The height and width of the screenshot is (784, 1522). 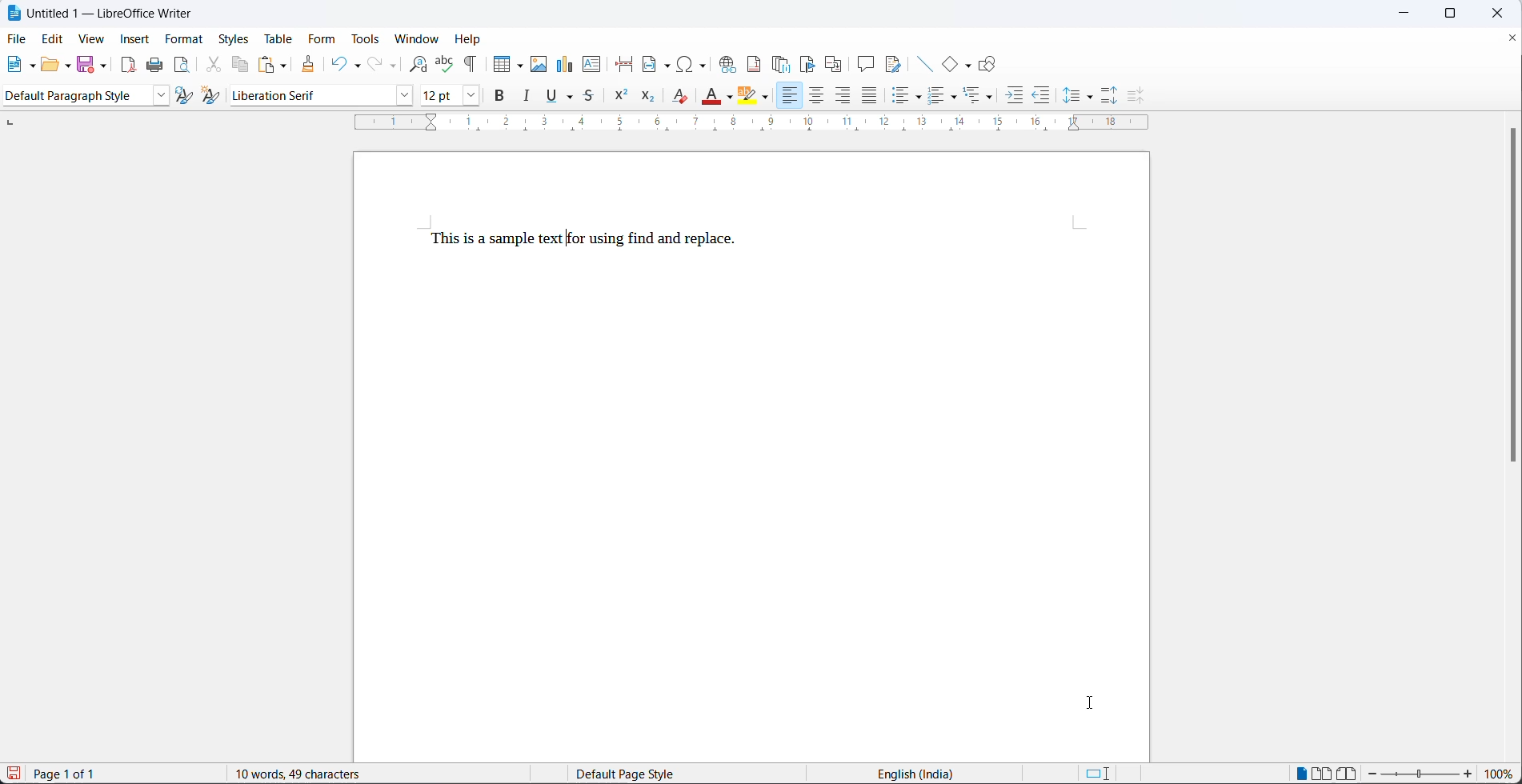 I want to click on strike through, so click(x=591, y=98).